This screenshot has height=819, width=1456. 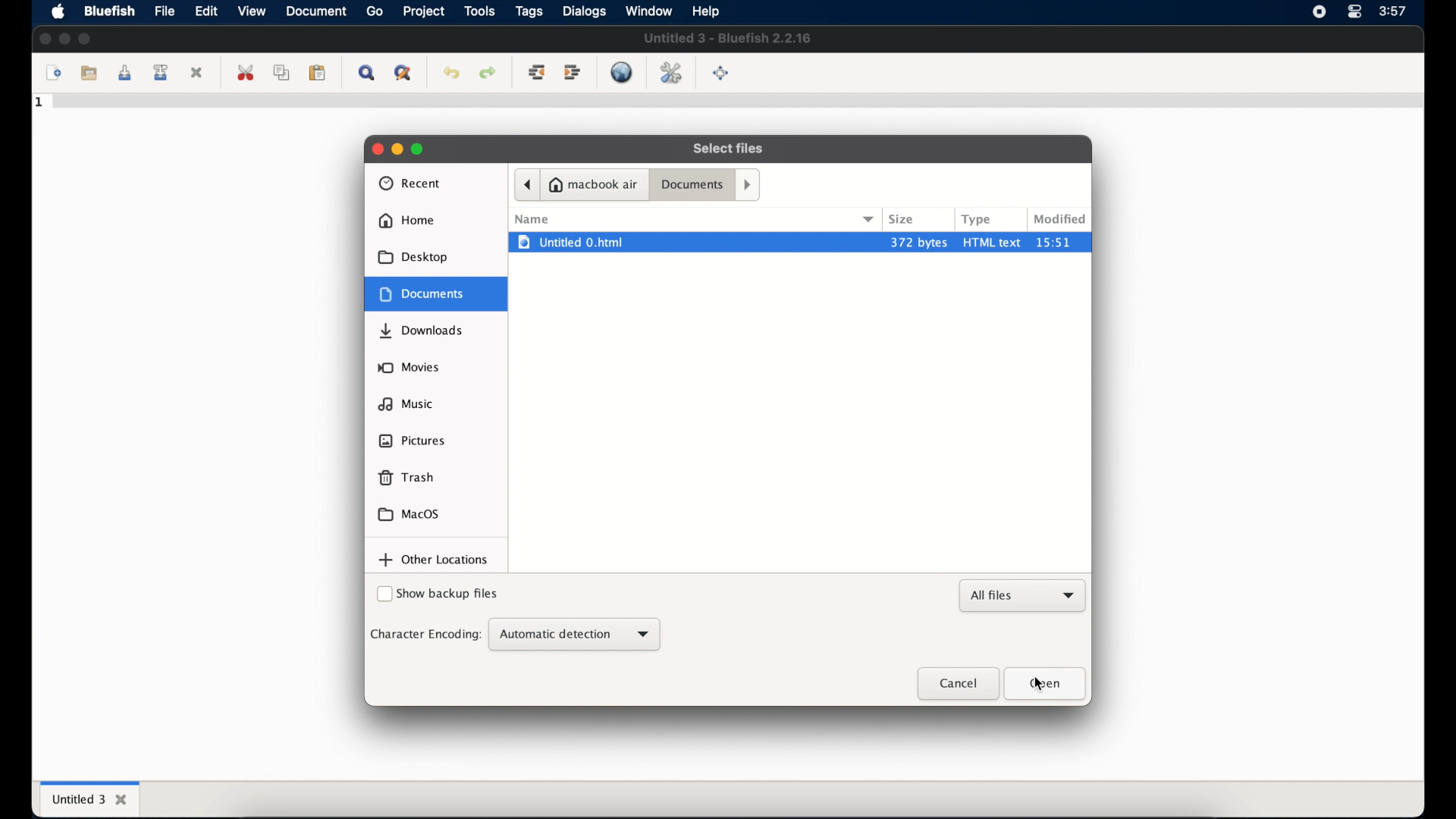 What do you see at coordinates (584, 11) in the screenshot?
I see `dialogs` at bounding box center [584, 11].